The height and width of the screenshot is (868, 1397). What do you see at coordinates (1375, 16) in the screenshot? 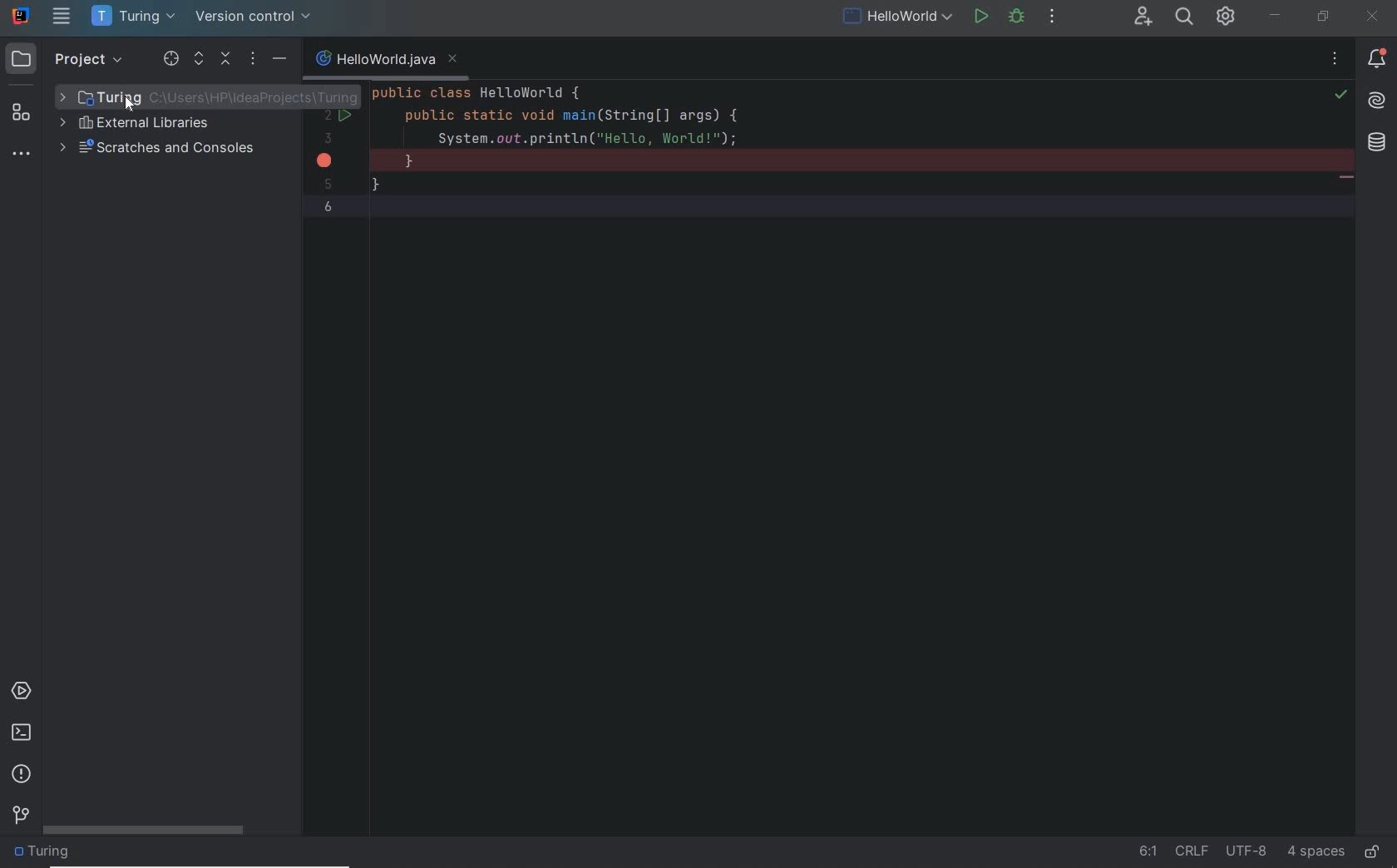
I see `CLOSE` at bounding box center [1375, 16].